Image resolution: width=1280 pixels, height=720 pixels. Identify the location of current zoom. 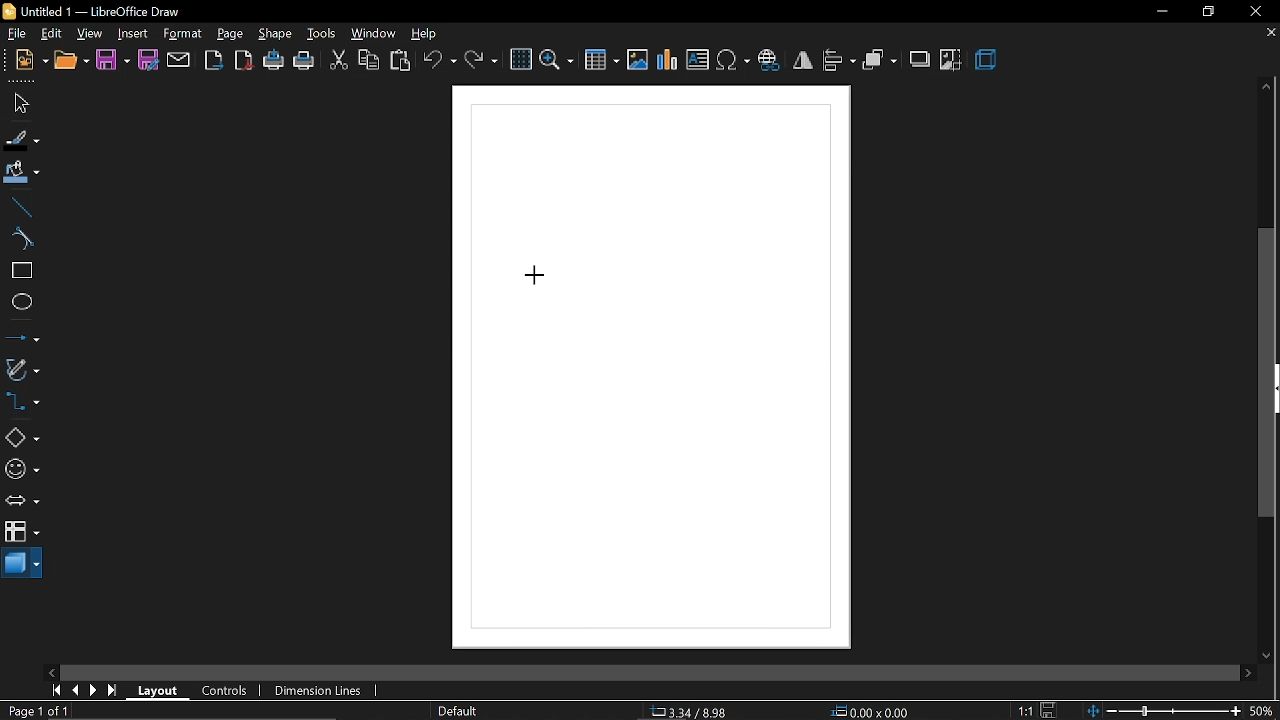
(1263, 711).